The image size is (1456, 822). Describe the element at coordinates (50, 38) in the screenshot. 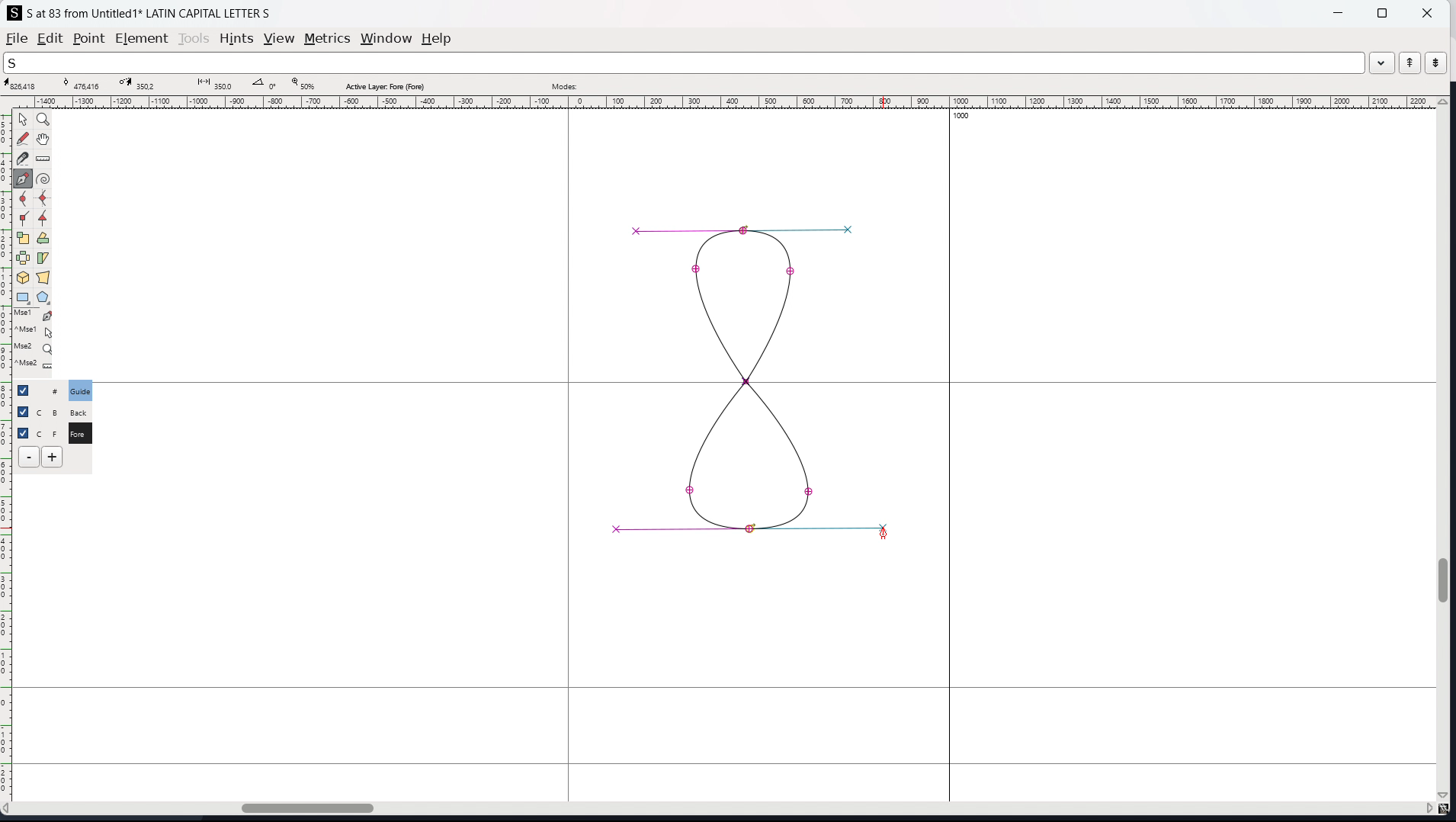

I see `edit` at that location.